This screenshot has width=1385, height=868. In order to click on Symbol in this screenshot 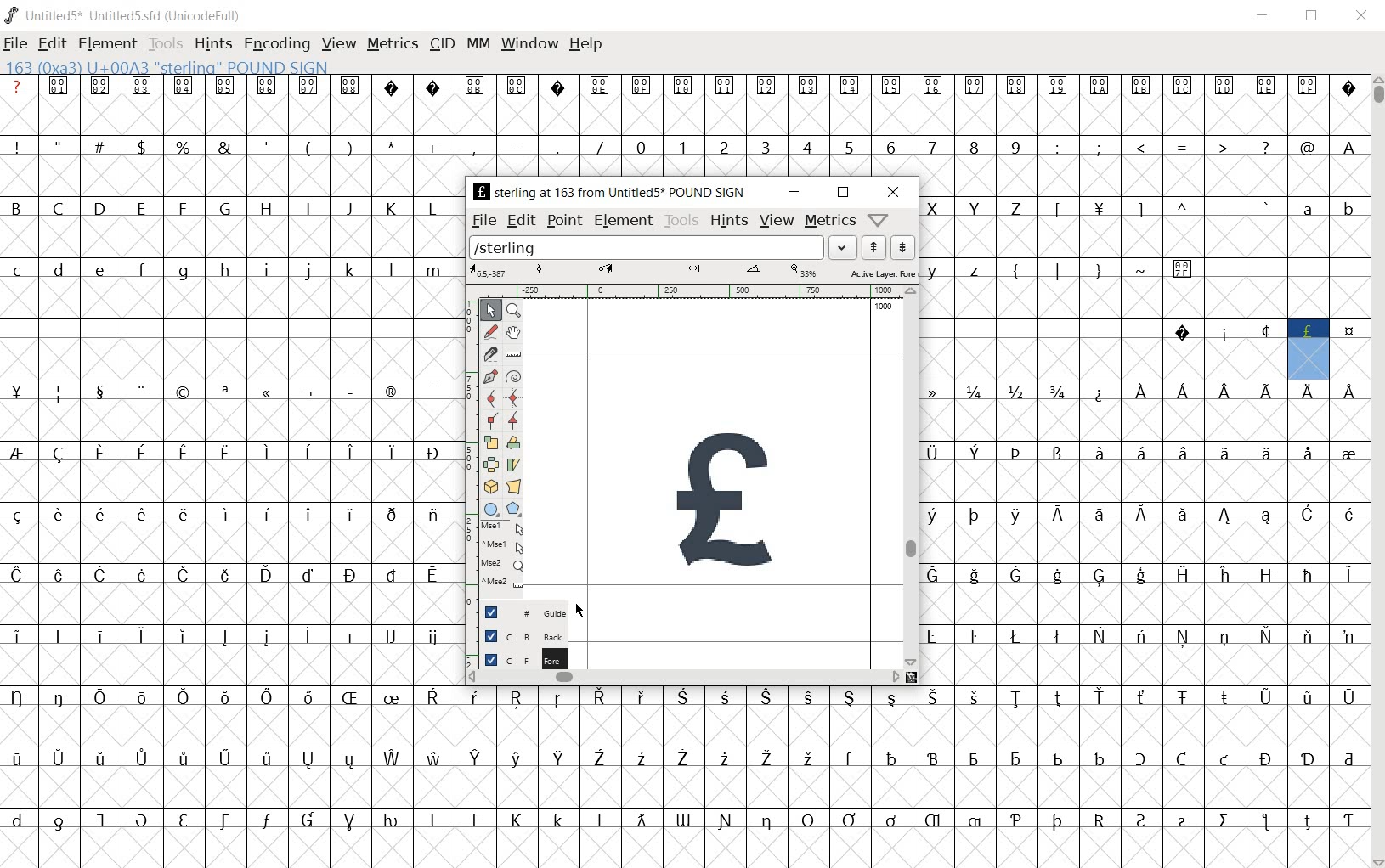, I will do `click(1183, 821)`.